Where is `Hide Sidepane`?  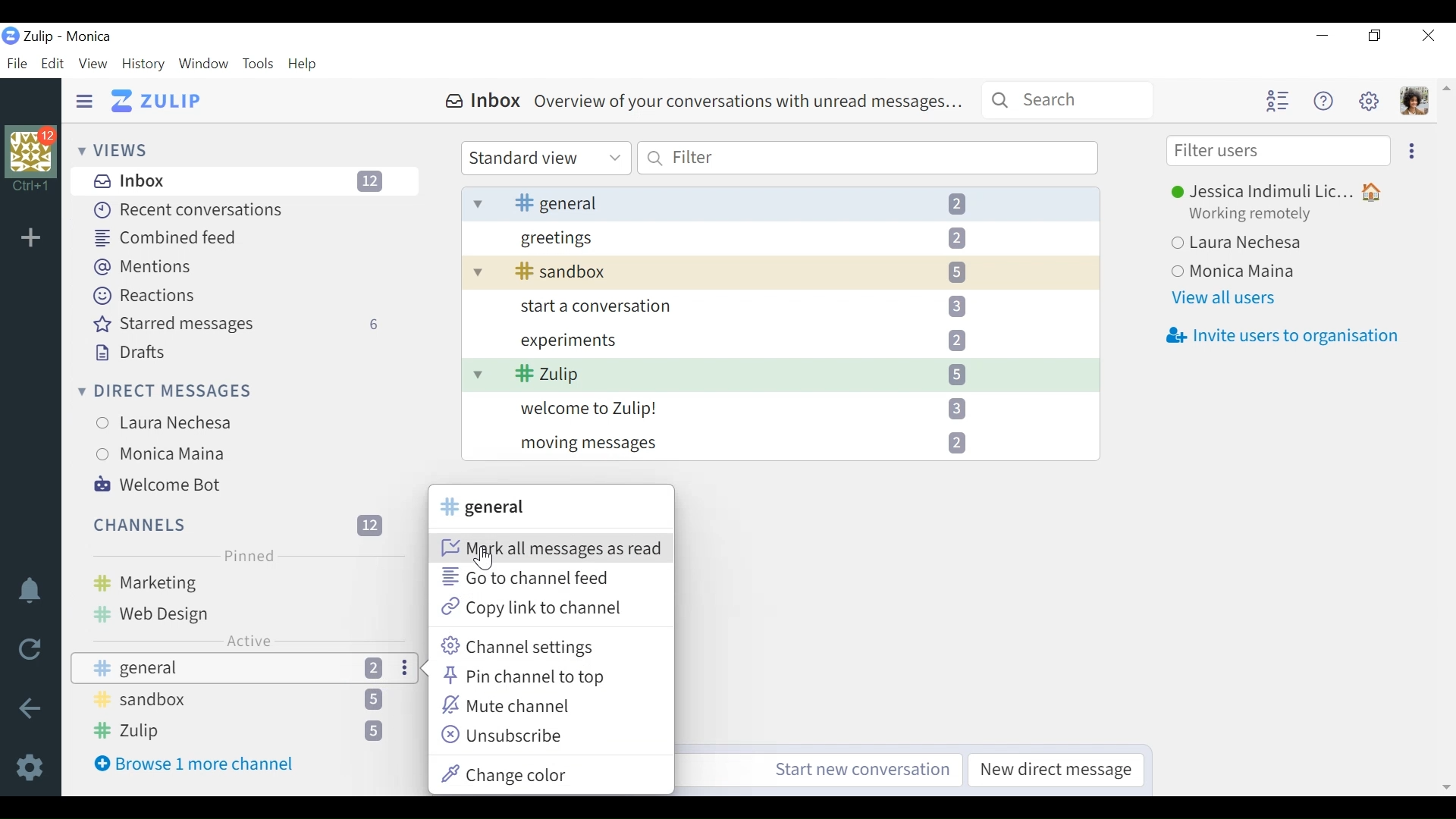
Hide Sidepane is located at coordinates (85, 102).